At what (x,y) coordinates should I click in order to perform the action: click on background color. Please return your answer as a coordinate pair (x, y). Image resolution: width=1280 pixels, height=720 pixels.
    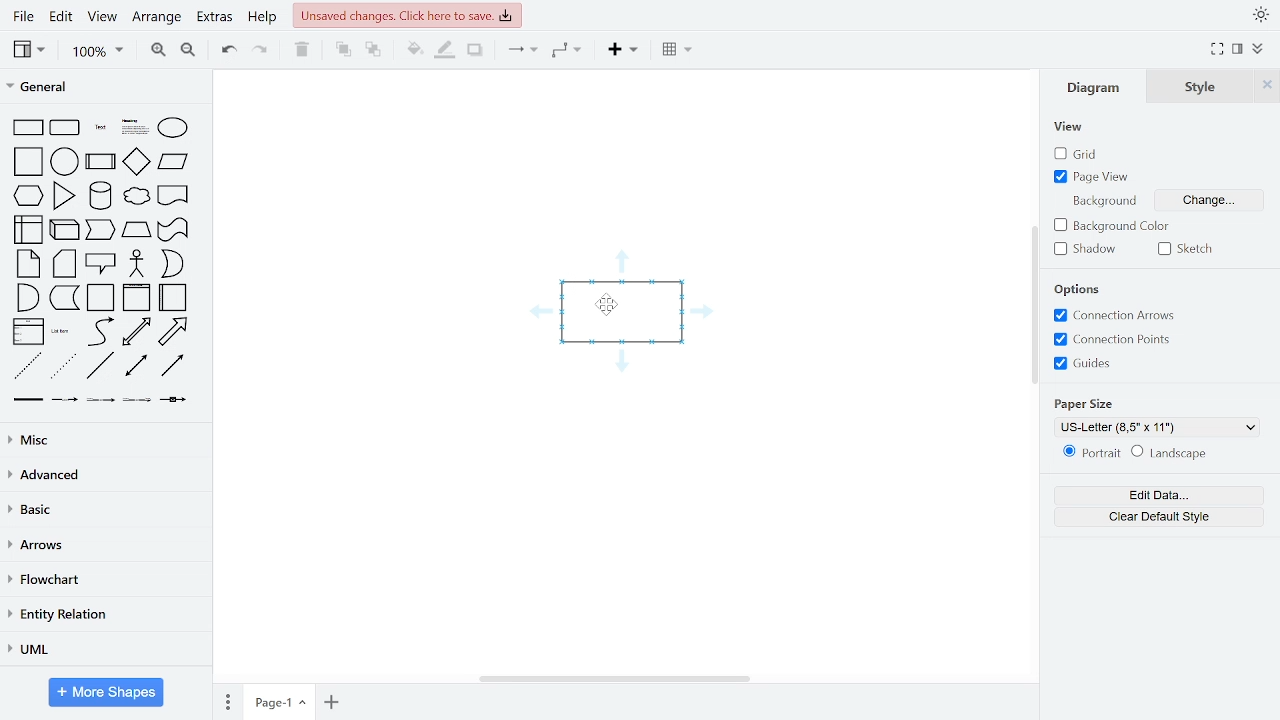
    Looking at the image, I should click on (1118, 227).